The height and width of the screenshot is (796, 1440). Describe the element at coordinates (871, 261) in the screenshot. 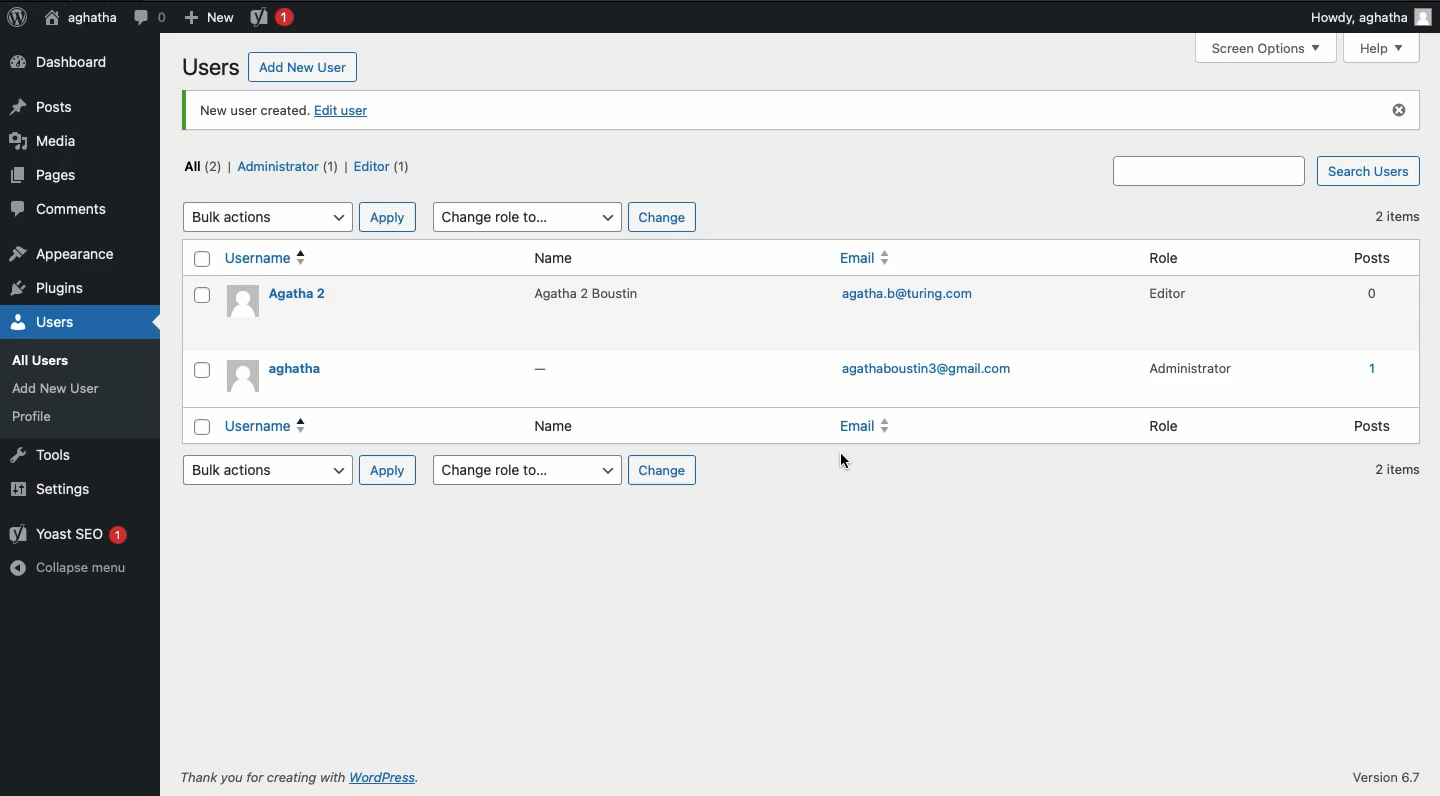

I see `Email` at that location.